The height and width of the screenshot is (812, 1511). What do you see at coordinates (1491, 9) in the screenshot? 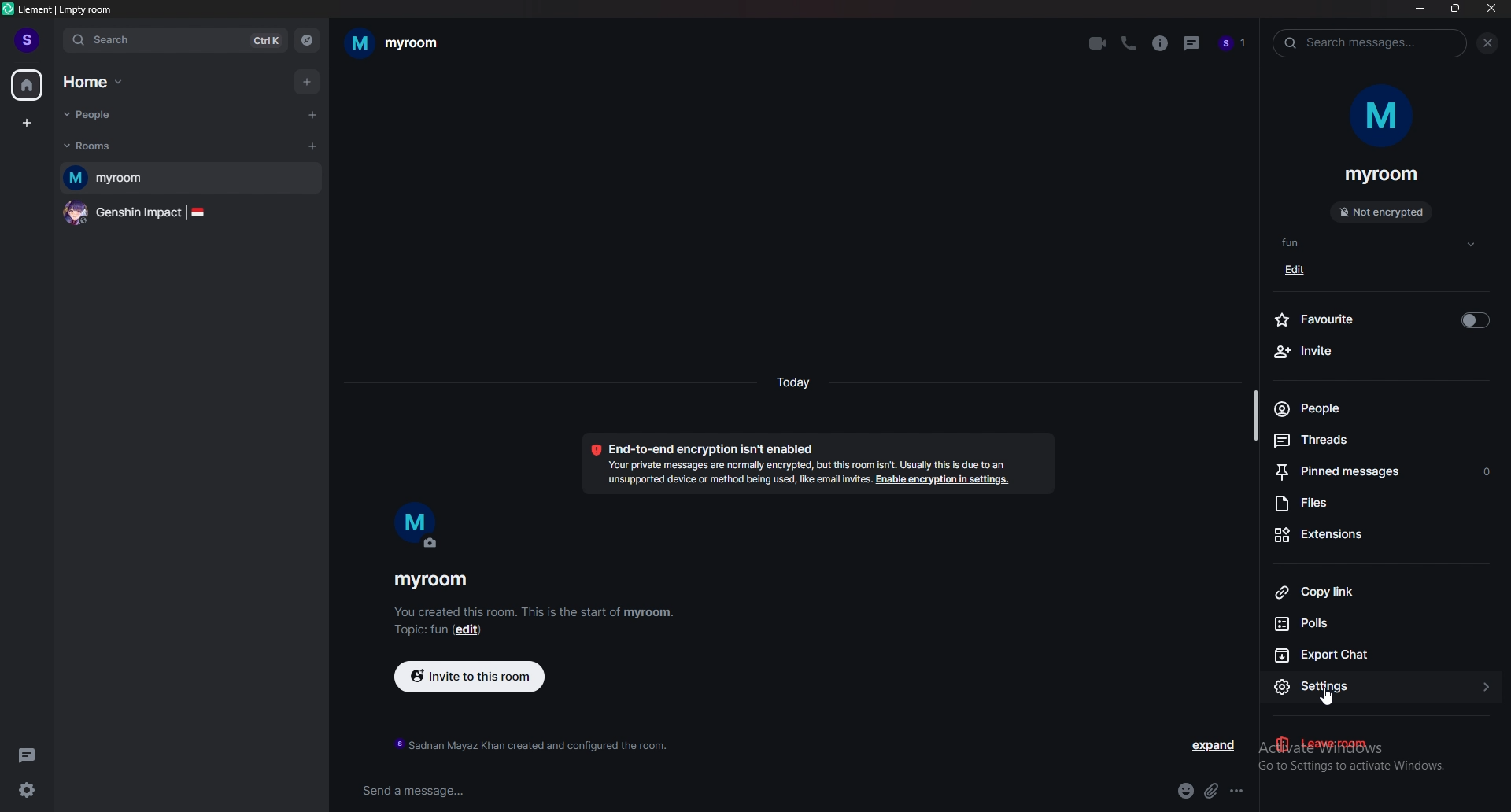
I see `close` at bounding box center [1491, 9].